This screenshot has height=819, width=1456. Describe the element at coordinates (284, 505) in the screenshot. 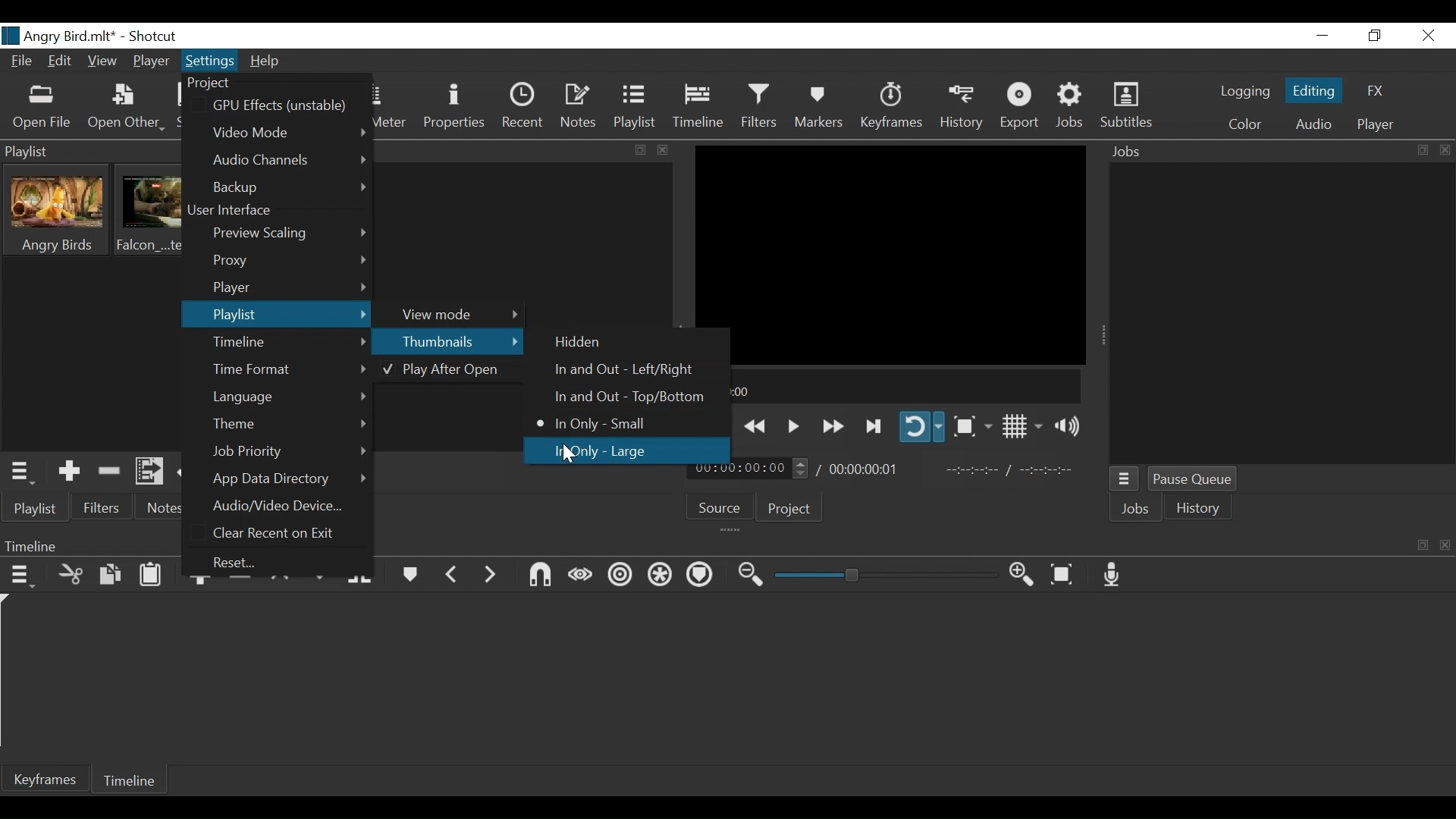

I see `Audio/Video Device` at that location.